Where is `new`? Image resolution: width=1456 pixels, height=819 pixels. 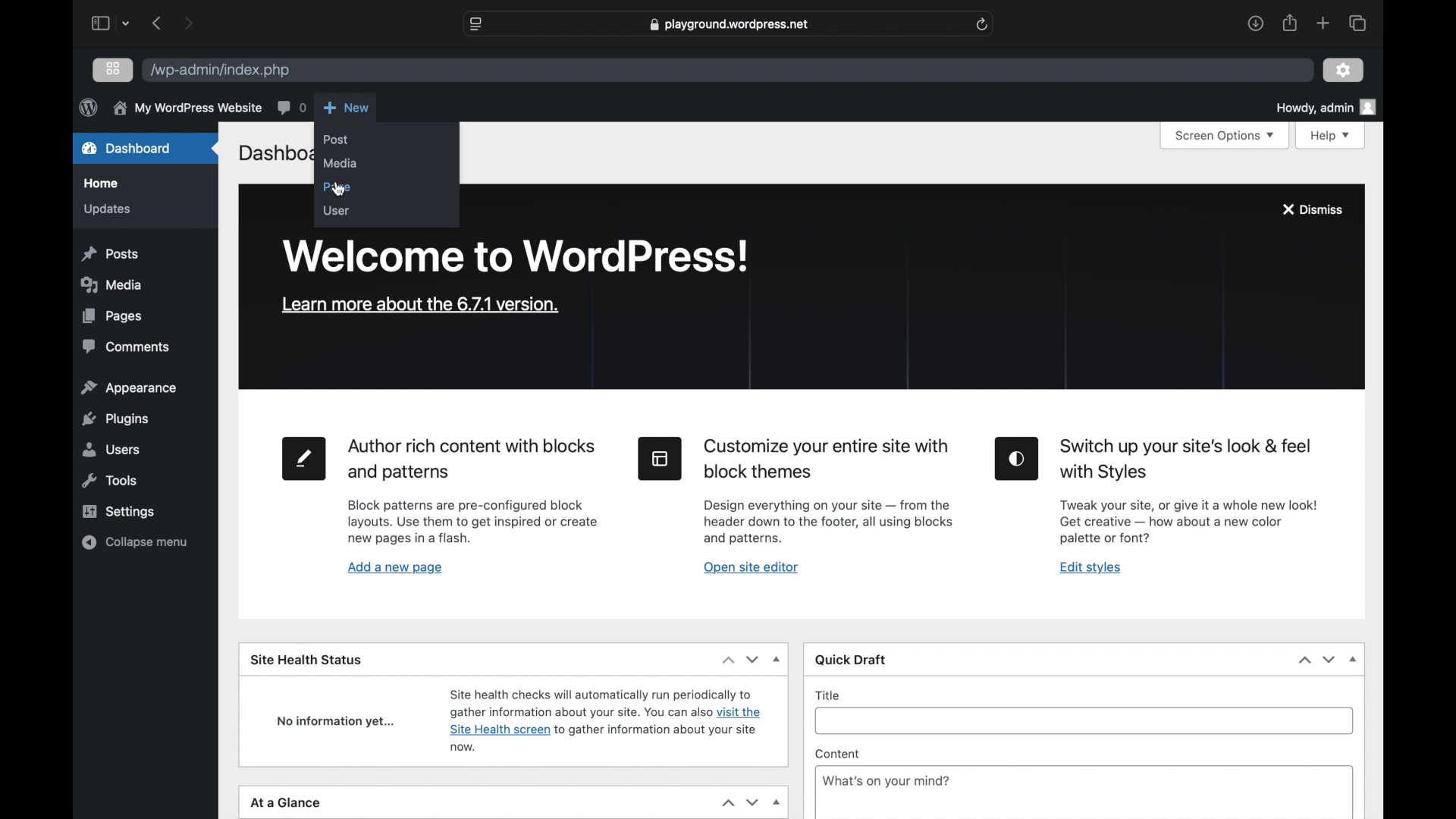
new is located at coordinates (346, 108).